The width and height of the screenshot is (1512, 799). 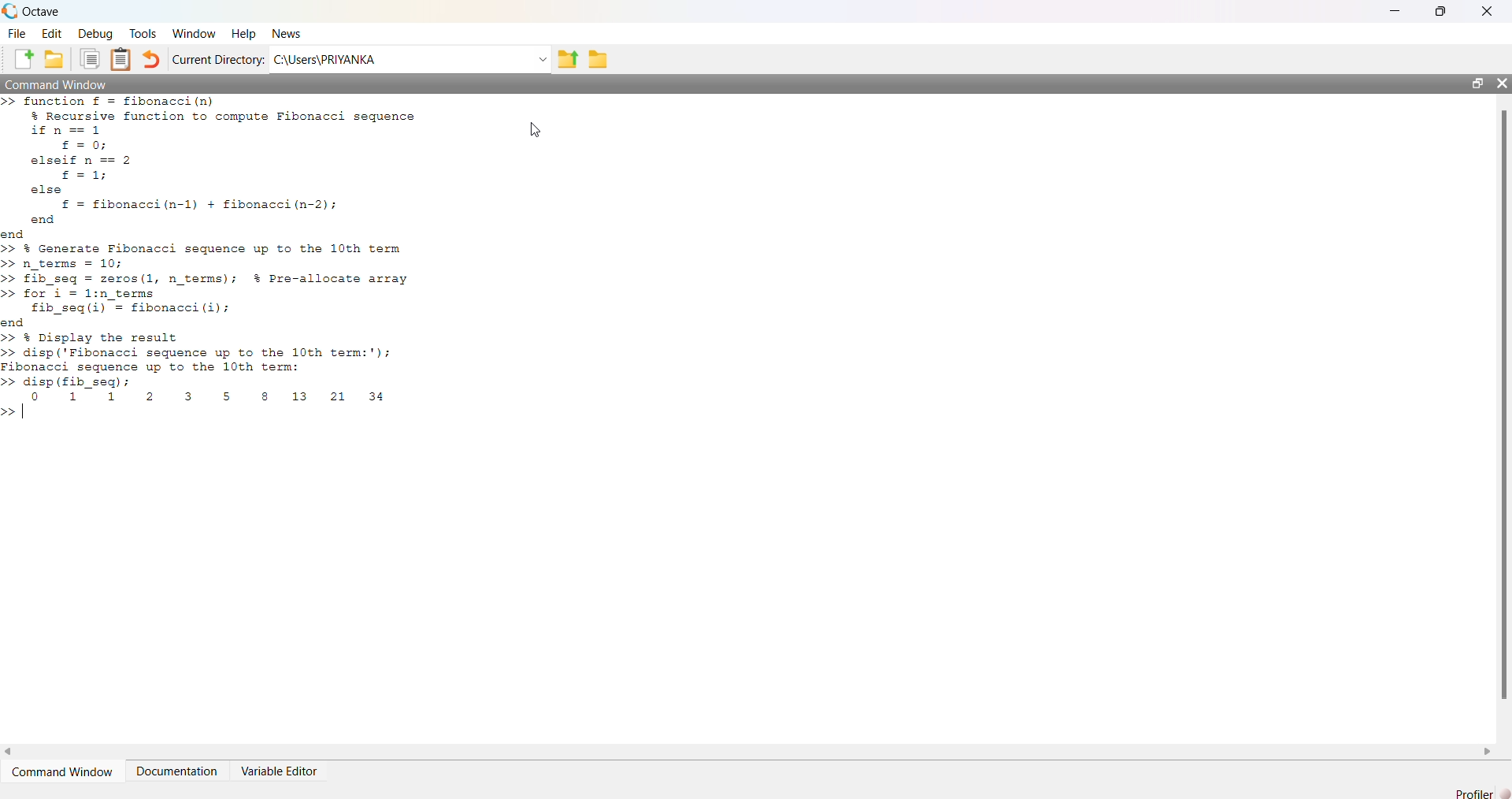 I want to click on Help, so click(x=244, y=32).